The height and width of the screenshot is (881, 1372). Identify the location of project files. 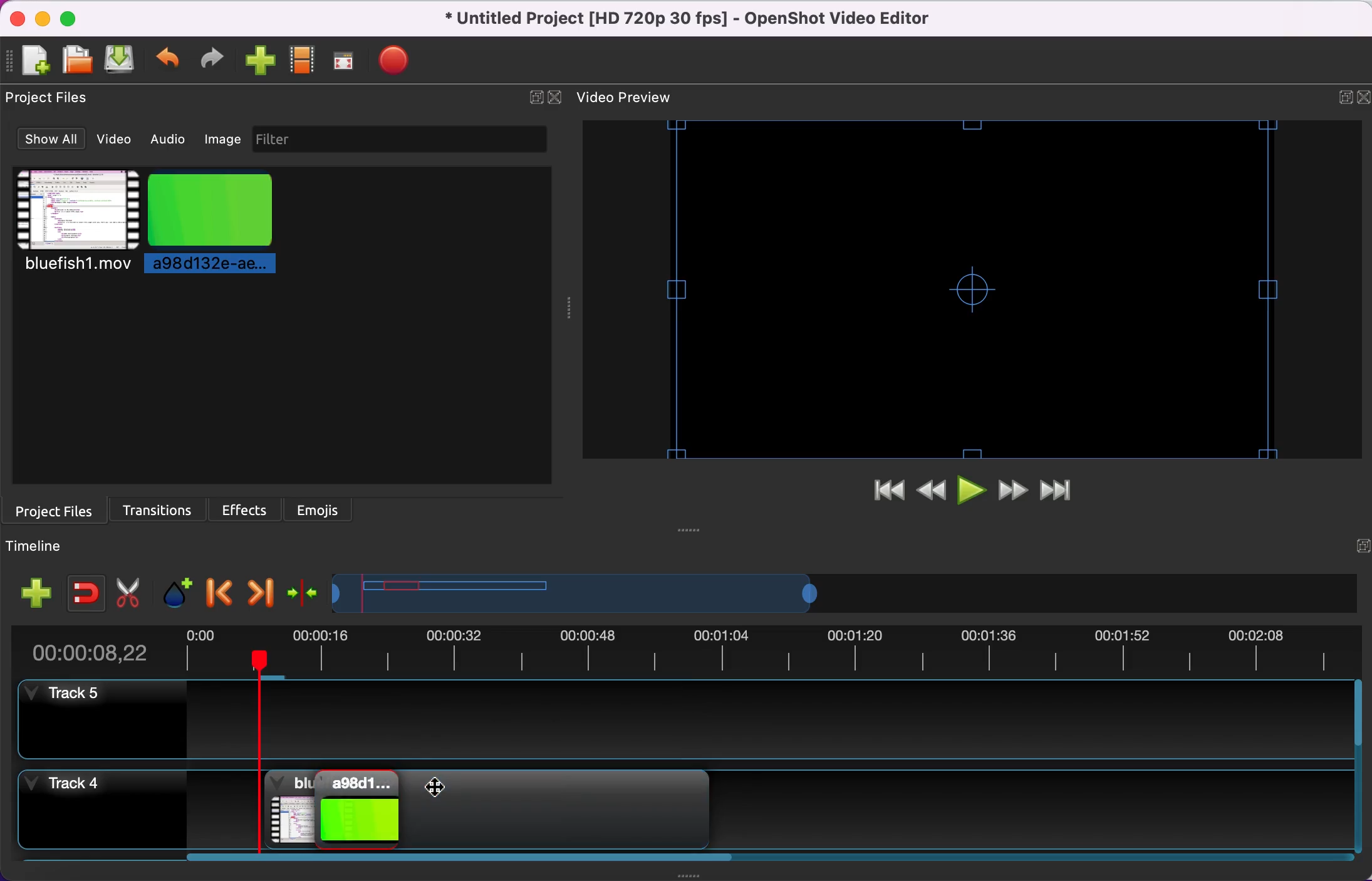
(61, 510).